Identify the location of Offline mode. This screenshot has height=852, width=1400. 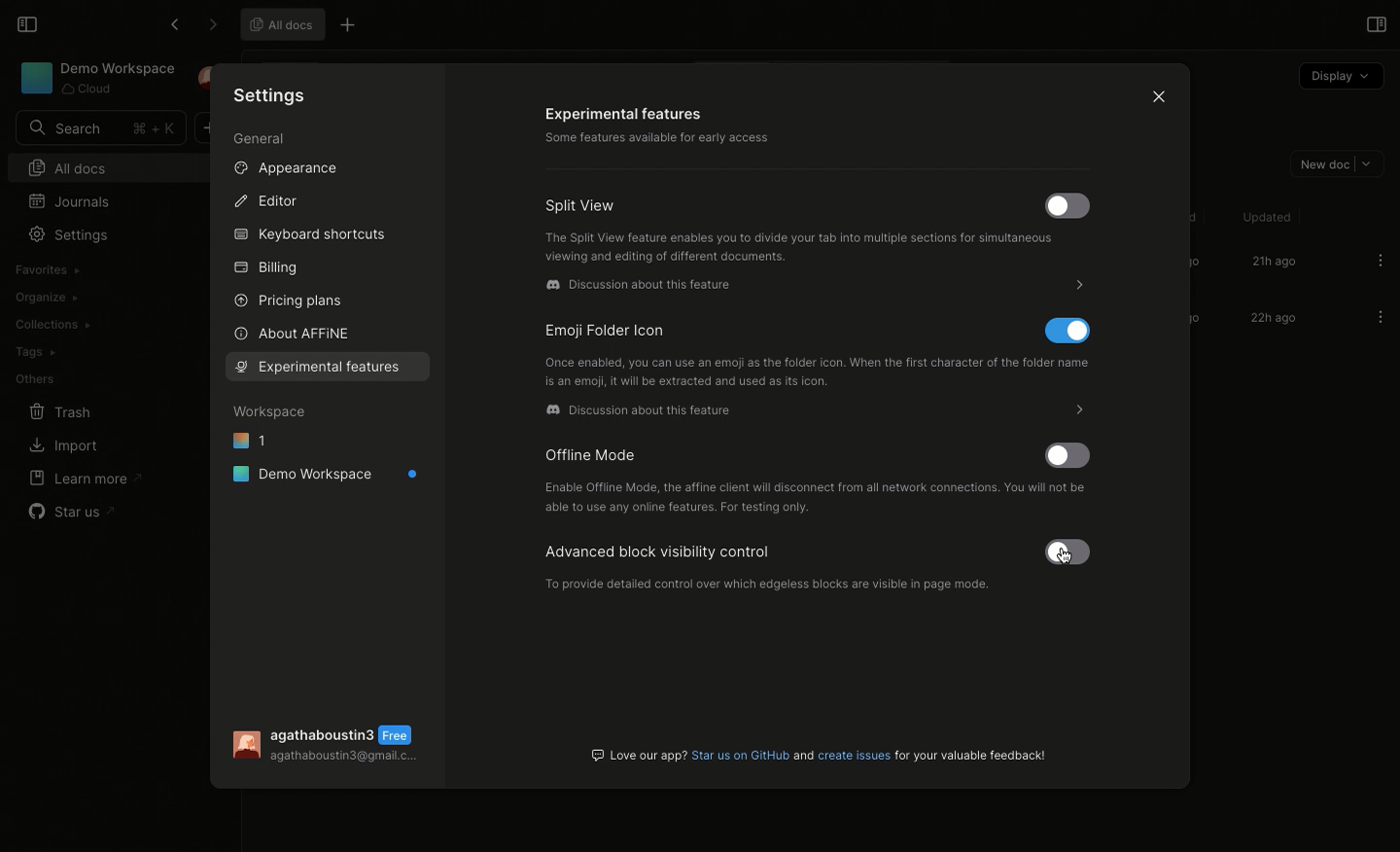
(786, 479).